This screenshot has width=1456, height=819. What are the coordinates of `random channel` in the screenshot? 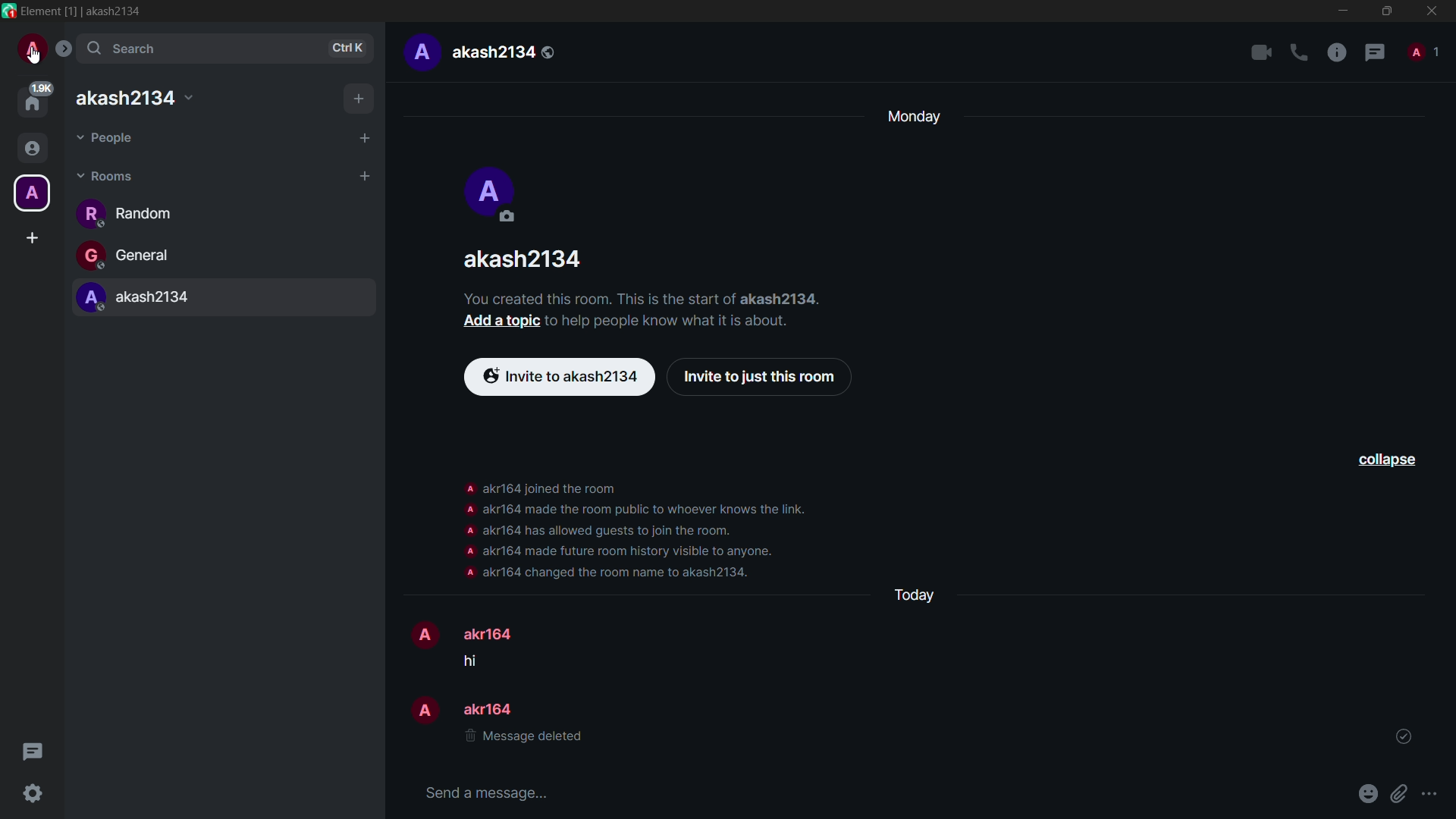 It's located at (129, 213).